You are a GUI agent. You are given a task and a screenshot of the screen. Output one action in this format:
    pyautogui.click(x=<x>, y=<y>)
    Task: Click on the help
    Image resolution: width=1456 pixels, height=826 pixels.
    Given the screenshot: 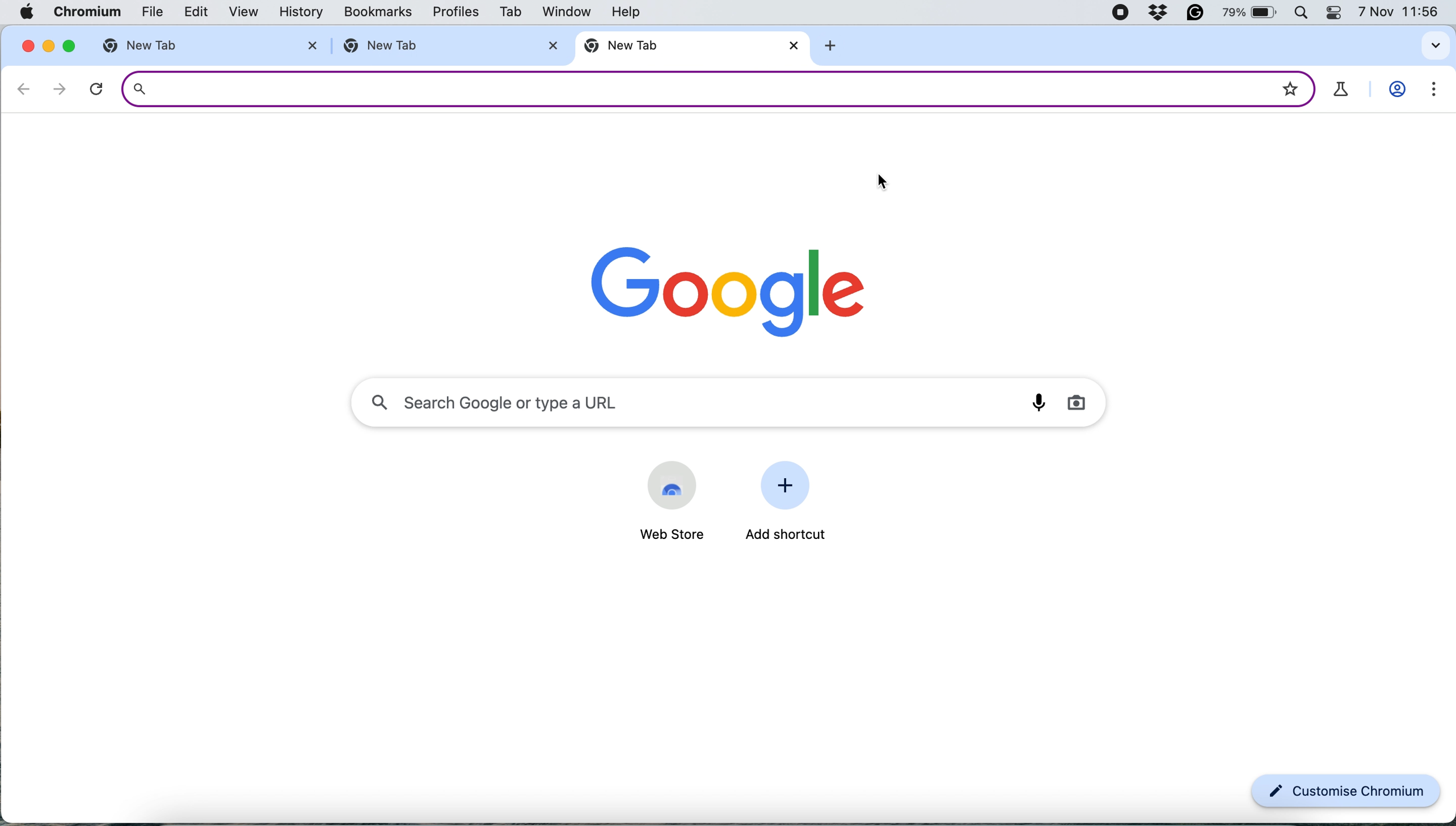 What is the action you would take?
    pyautogui.click(x=630, y=11)
    